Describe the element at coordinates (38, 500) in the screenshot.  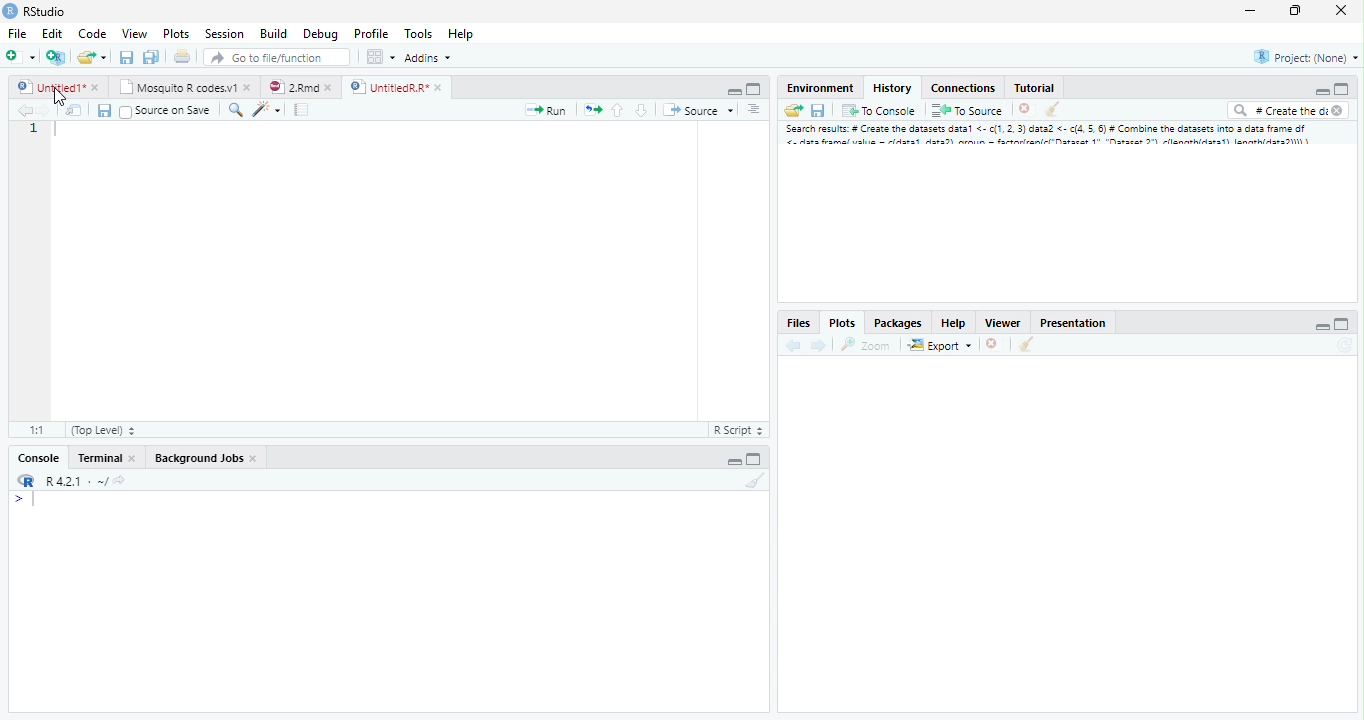
I see `Input cursor` at that location.